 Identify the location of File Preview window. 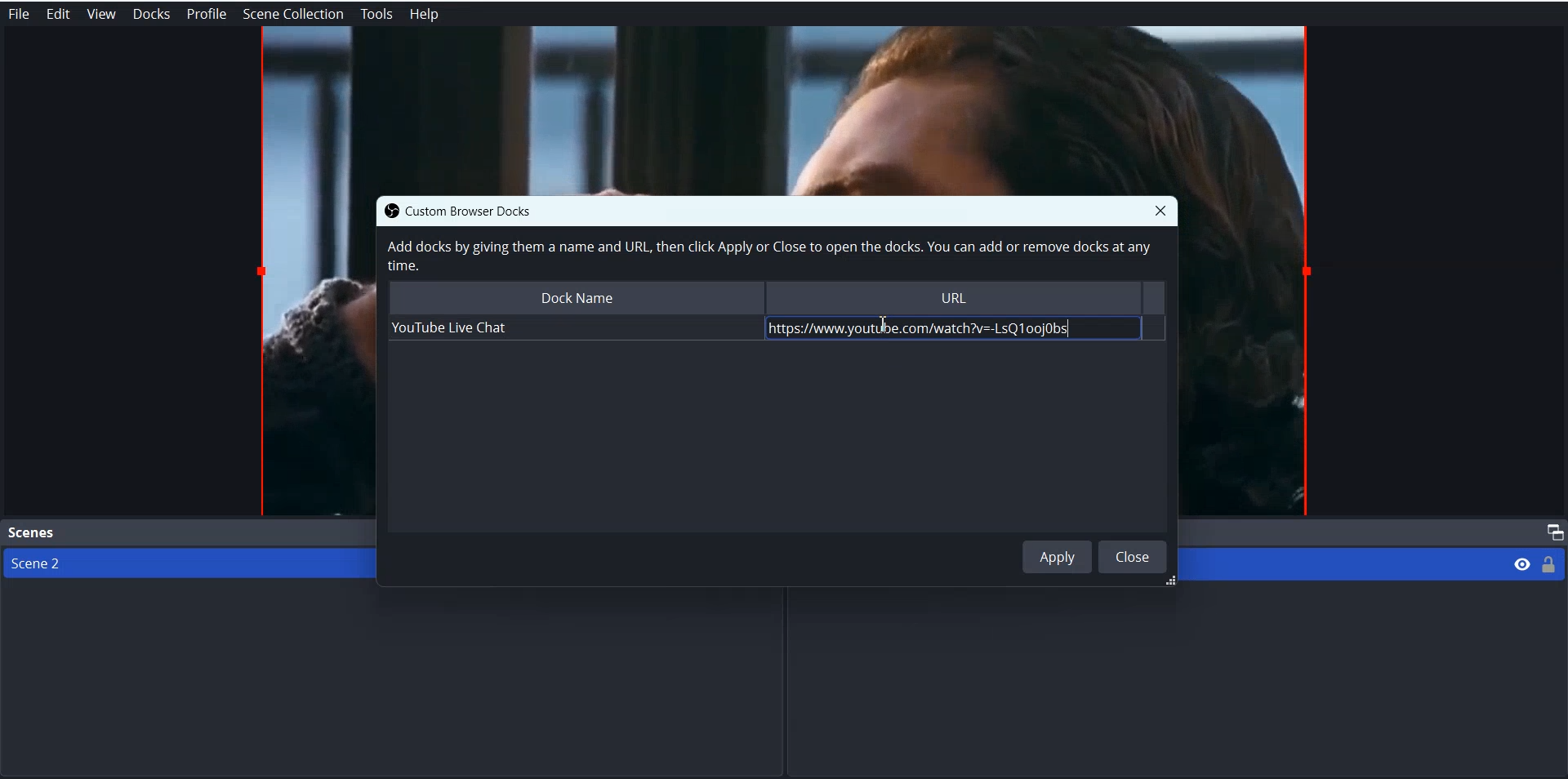
(314, 355).